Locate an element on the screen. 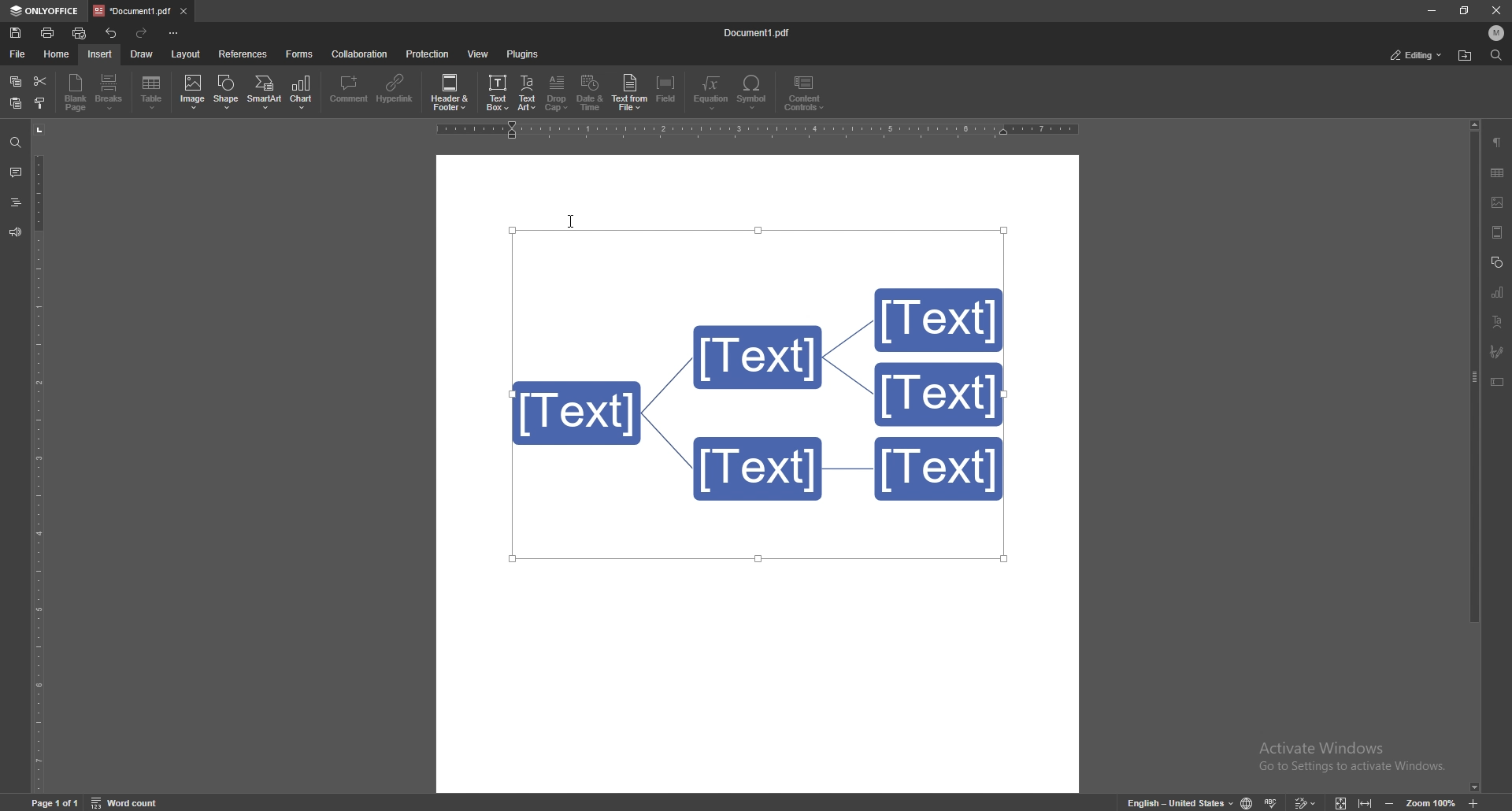  zoom is located at coordinates (1432, 801).